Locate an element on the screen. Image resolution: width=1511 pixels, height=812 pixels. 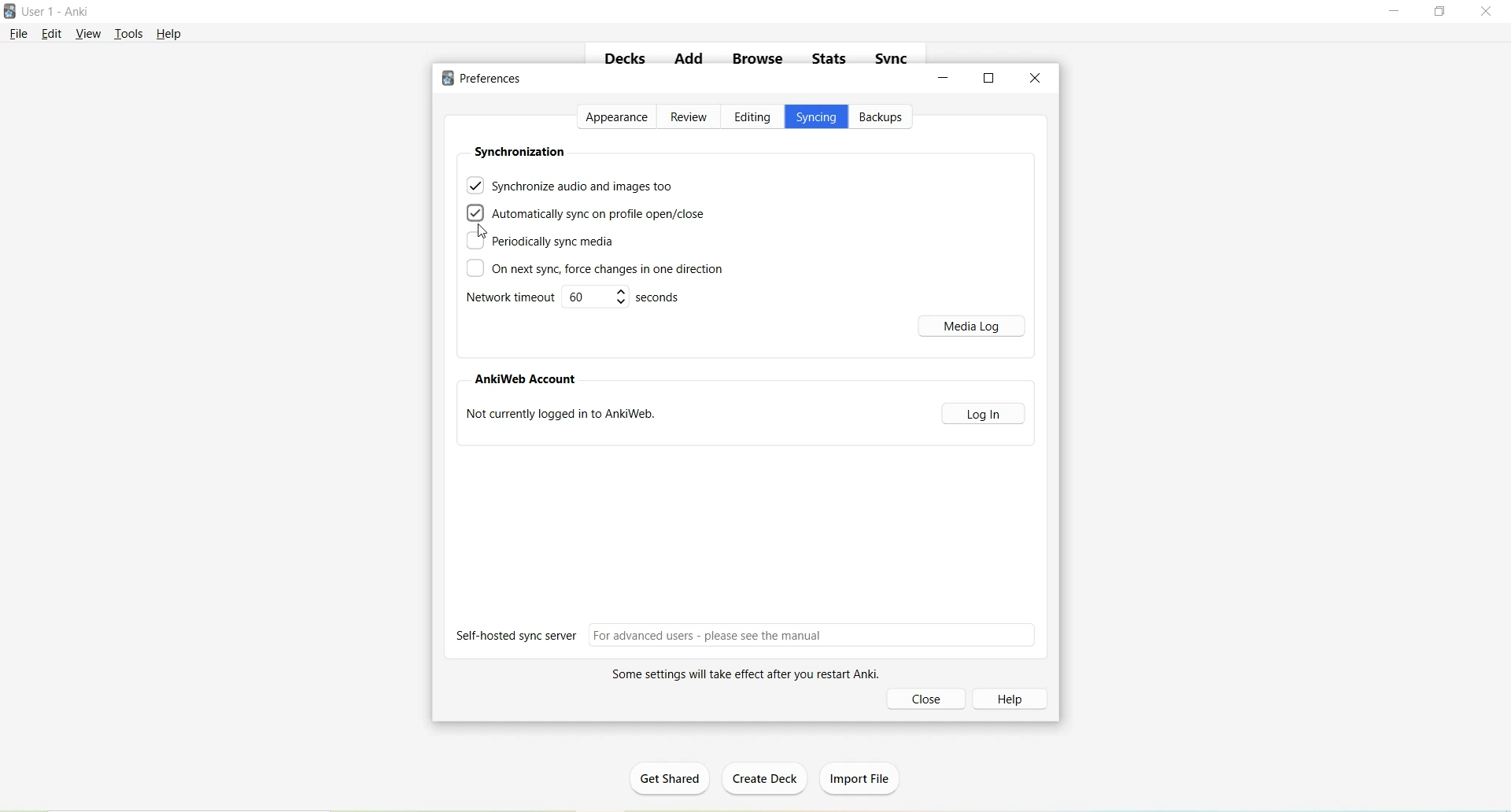
Enabled is located at coordinates (476, 211).